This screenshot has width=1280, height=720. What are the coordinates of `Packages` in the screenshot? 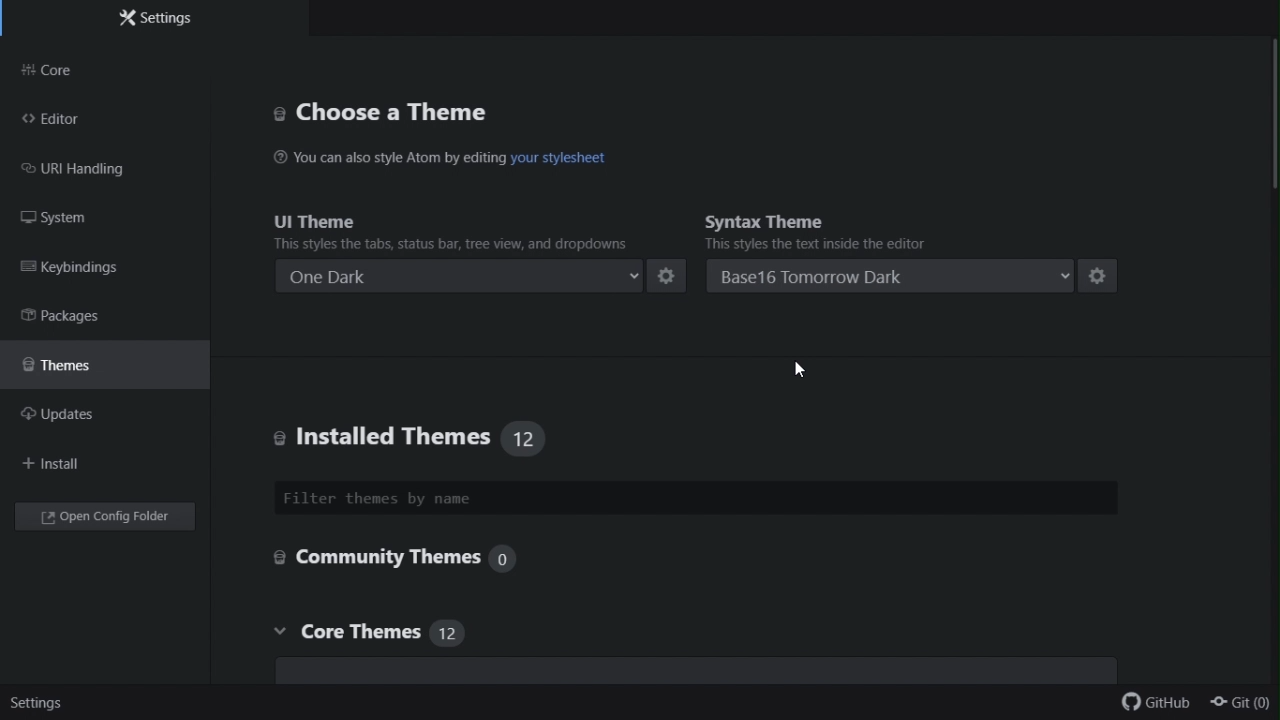 It's located at (83, 318).